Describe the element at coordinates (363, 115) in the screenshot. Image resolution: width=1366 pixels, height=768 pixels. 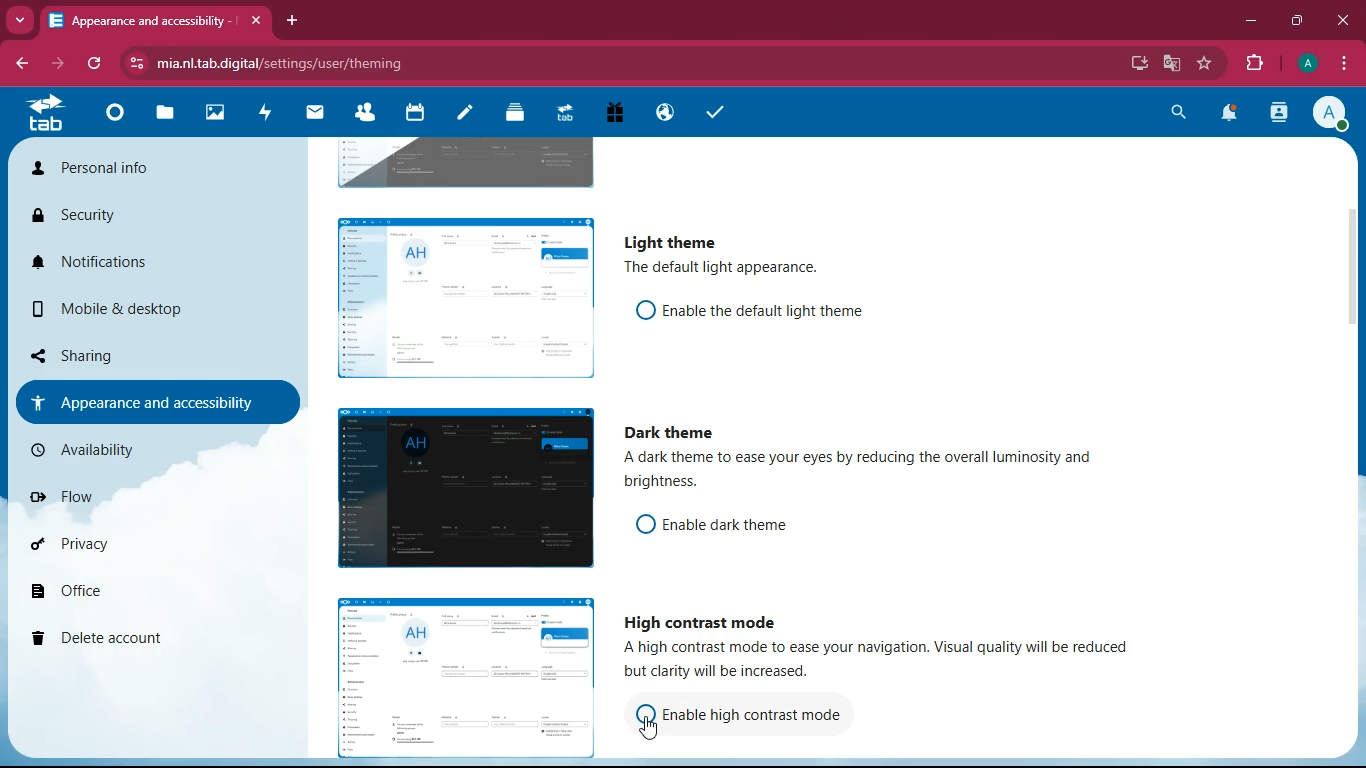
I see `friends` at that location.